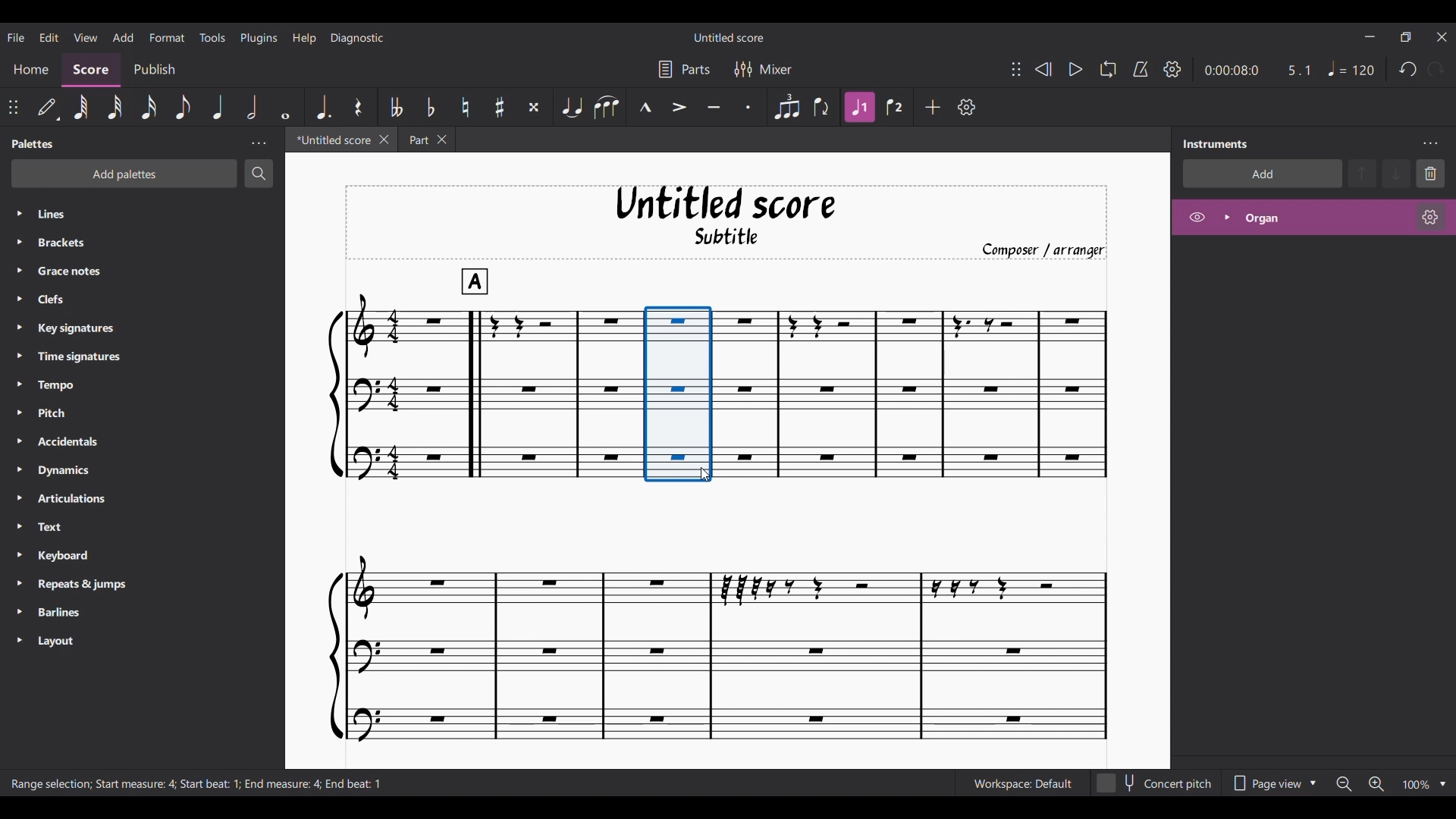 Image resolution: width=1456 pixels, height=819 pixels. Describe the element at coordinates (1257, 70) in the screenshot. I see `Current duration and ratio of score` at that location.